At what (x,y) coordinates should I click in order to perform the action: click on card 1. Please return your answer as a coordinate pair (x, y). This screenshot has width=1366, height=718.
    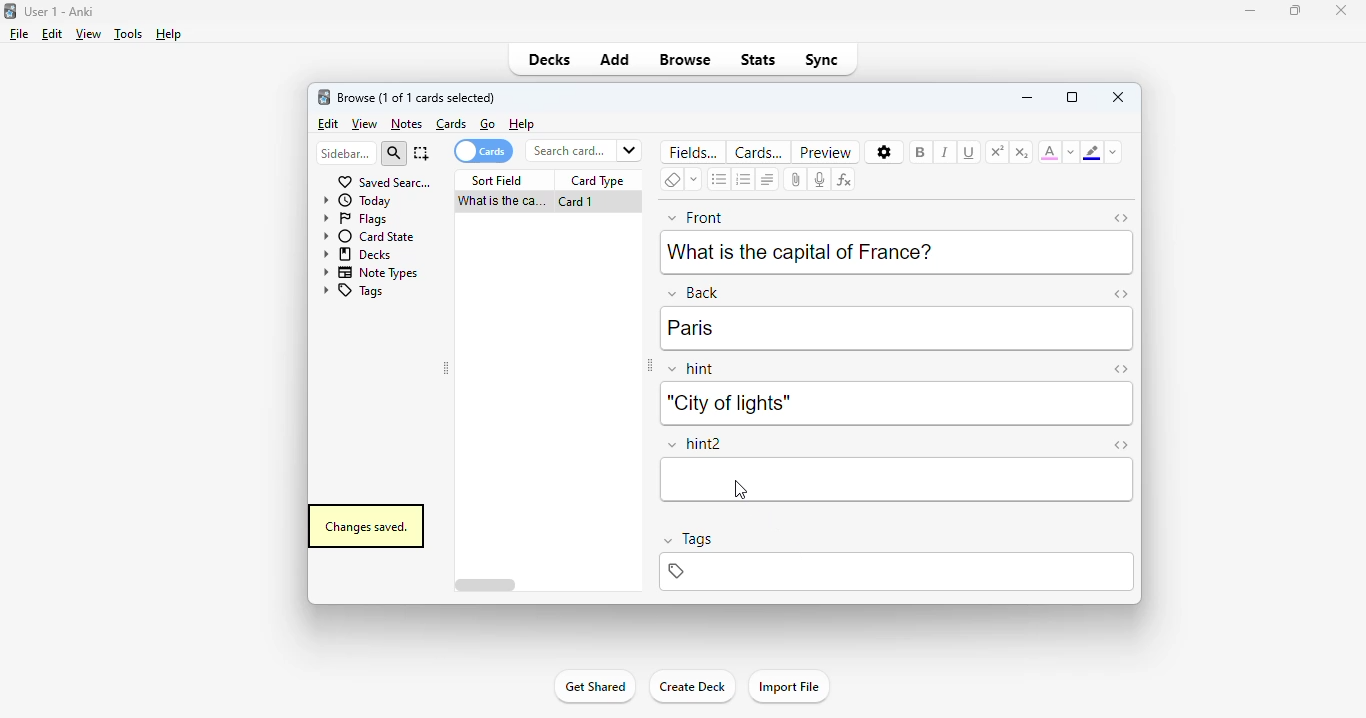
    Looking at the image, I should click on (576, 202).